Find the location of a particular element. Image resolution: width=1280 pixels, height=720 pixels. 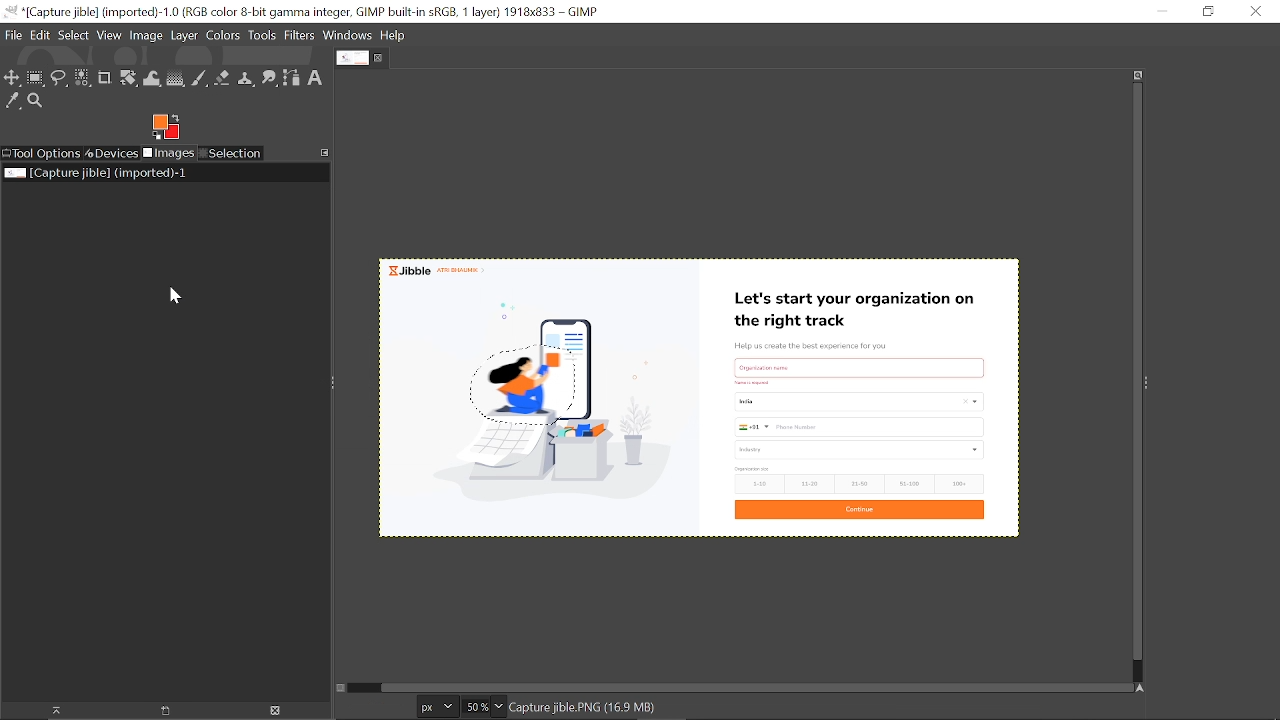

Current image unit is located at coordinates (435, 707).